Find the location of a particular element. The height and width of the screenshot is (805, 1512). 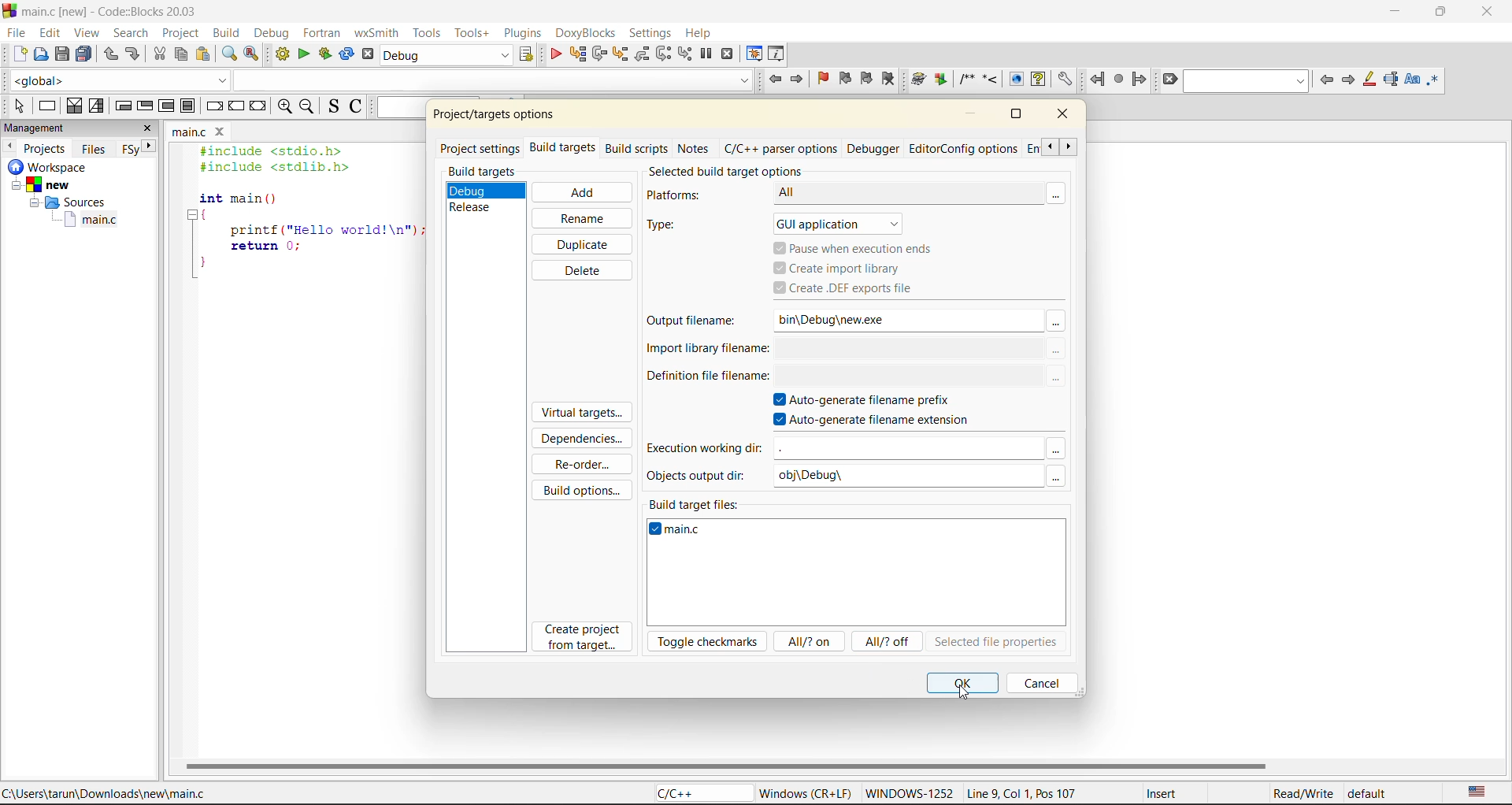

previous is located at coordinates (10, 146).